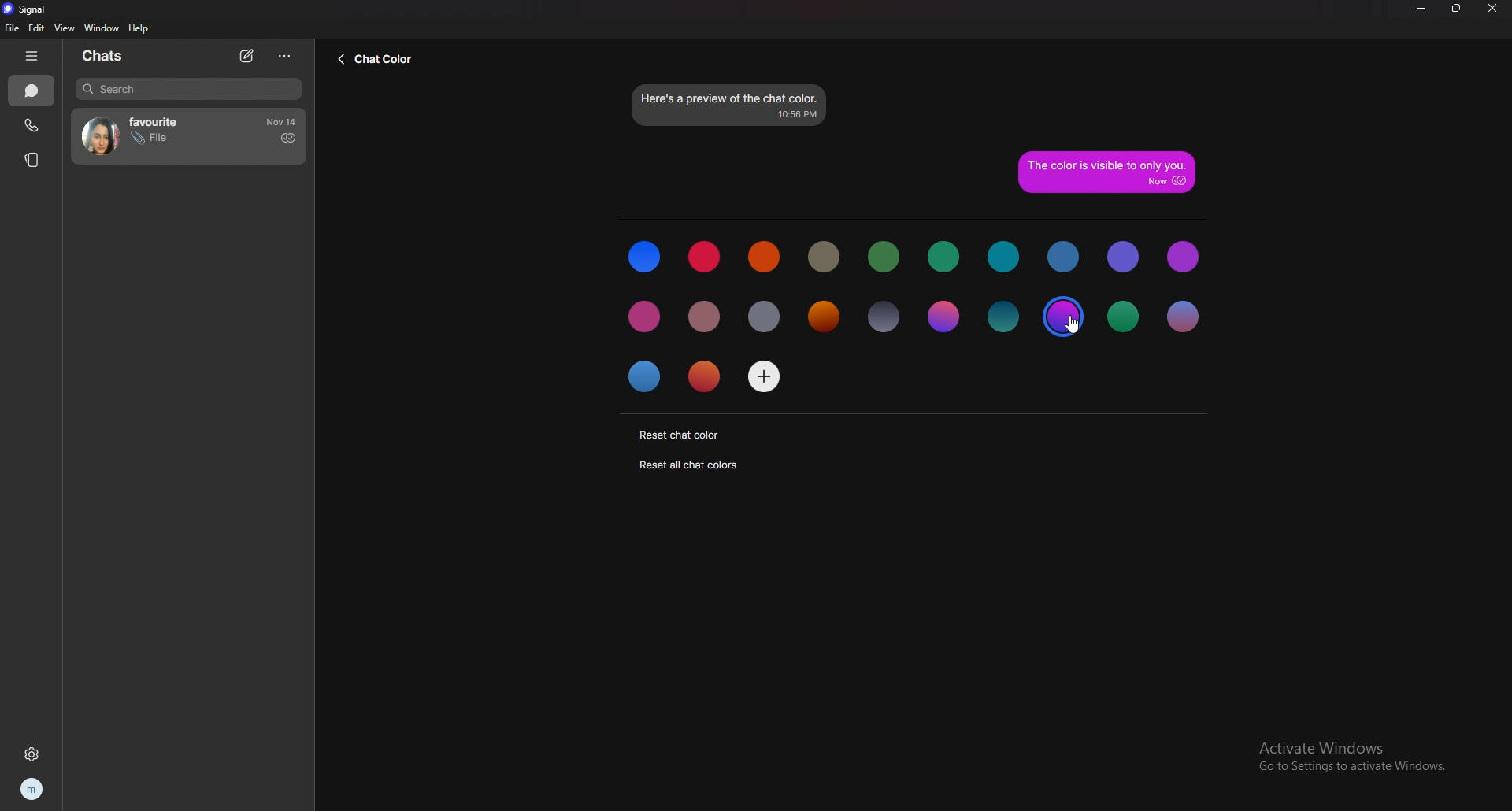 The image size is (1512, 811). Describe the element at coordinates (706, 319) in the screenshot. I see `color` at that location.